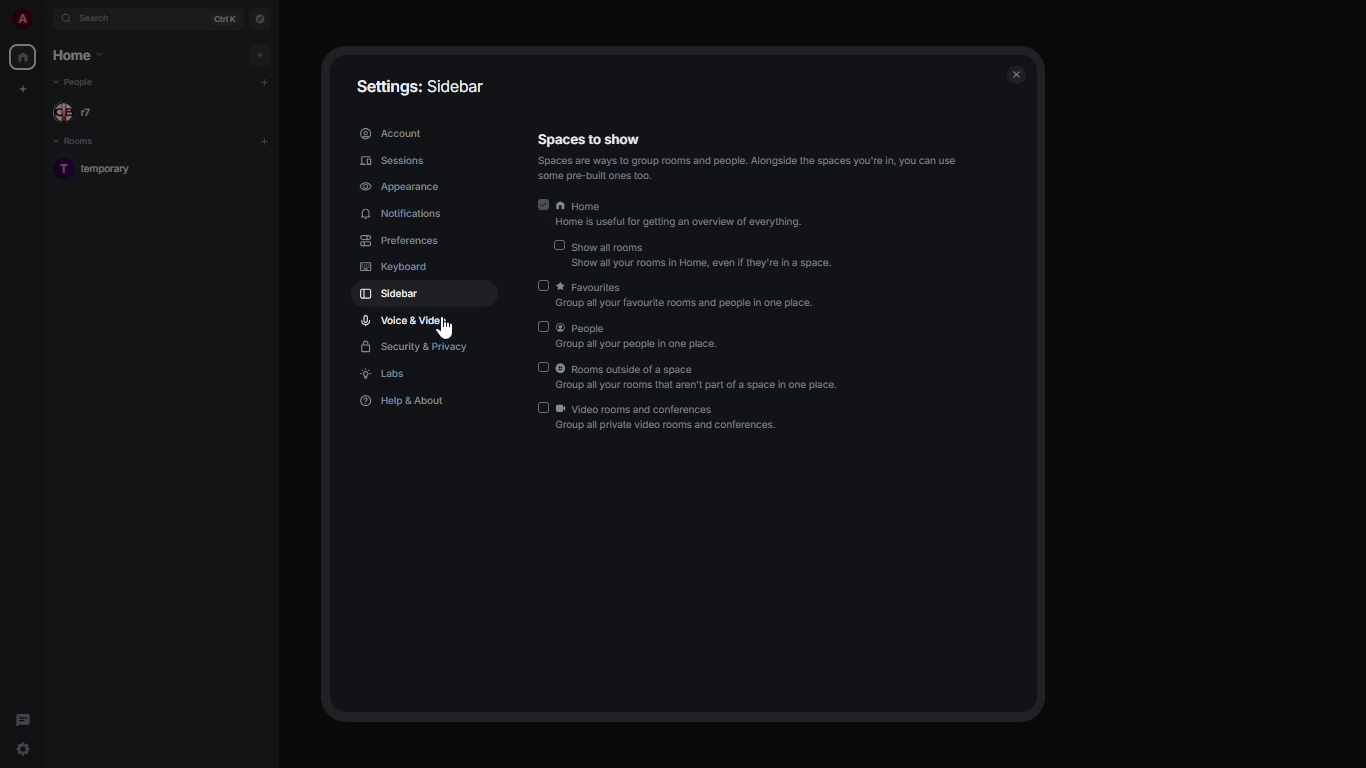  Describe the element at coordinates (642, 336) in the screenshot. I see `people` at that location.